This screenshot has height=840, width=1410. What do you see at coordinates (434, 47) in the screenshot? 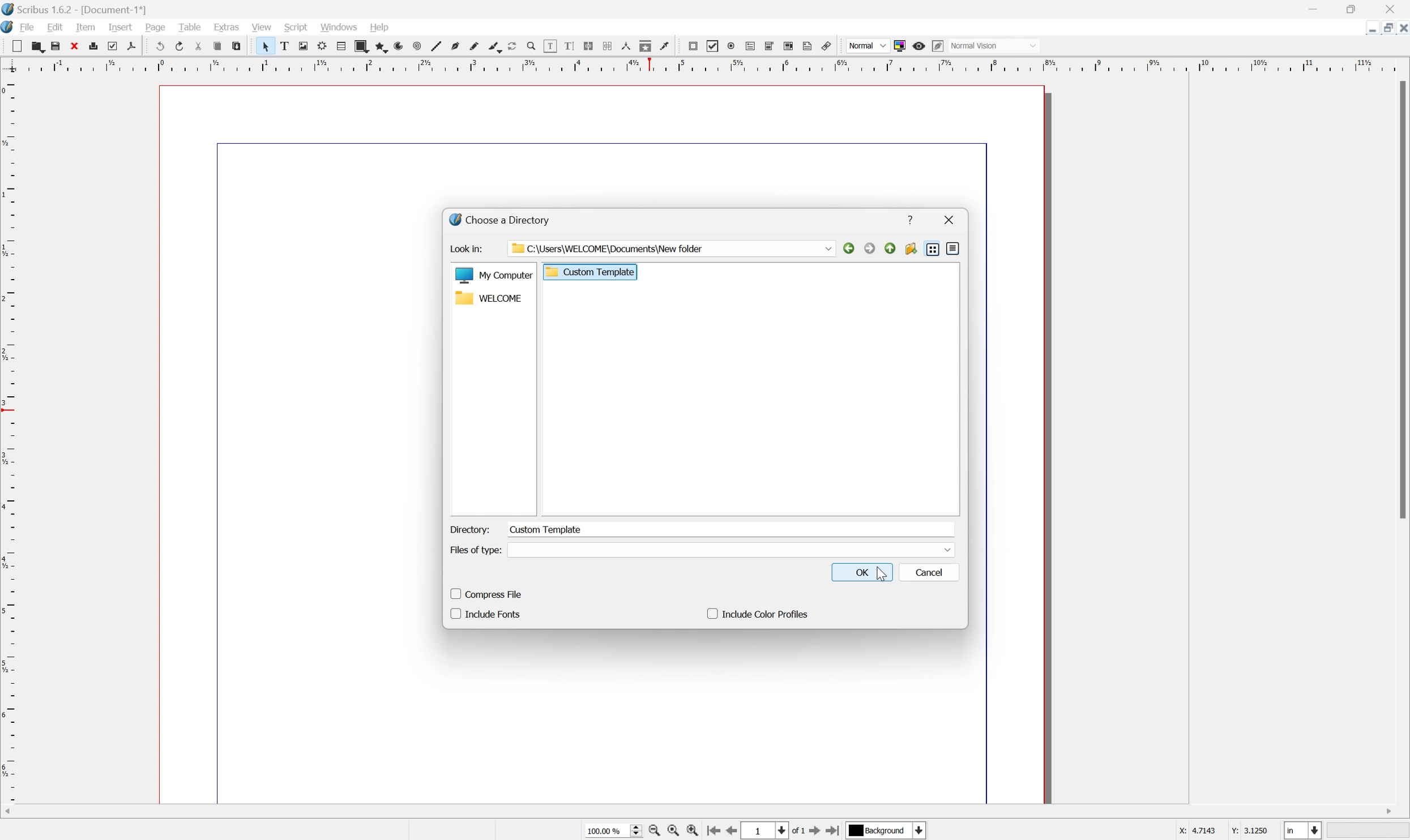
I see `line` at bounding box center [434, 47].